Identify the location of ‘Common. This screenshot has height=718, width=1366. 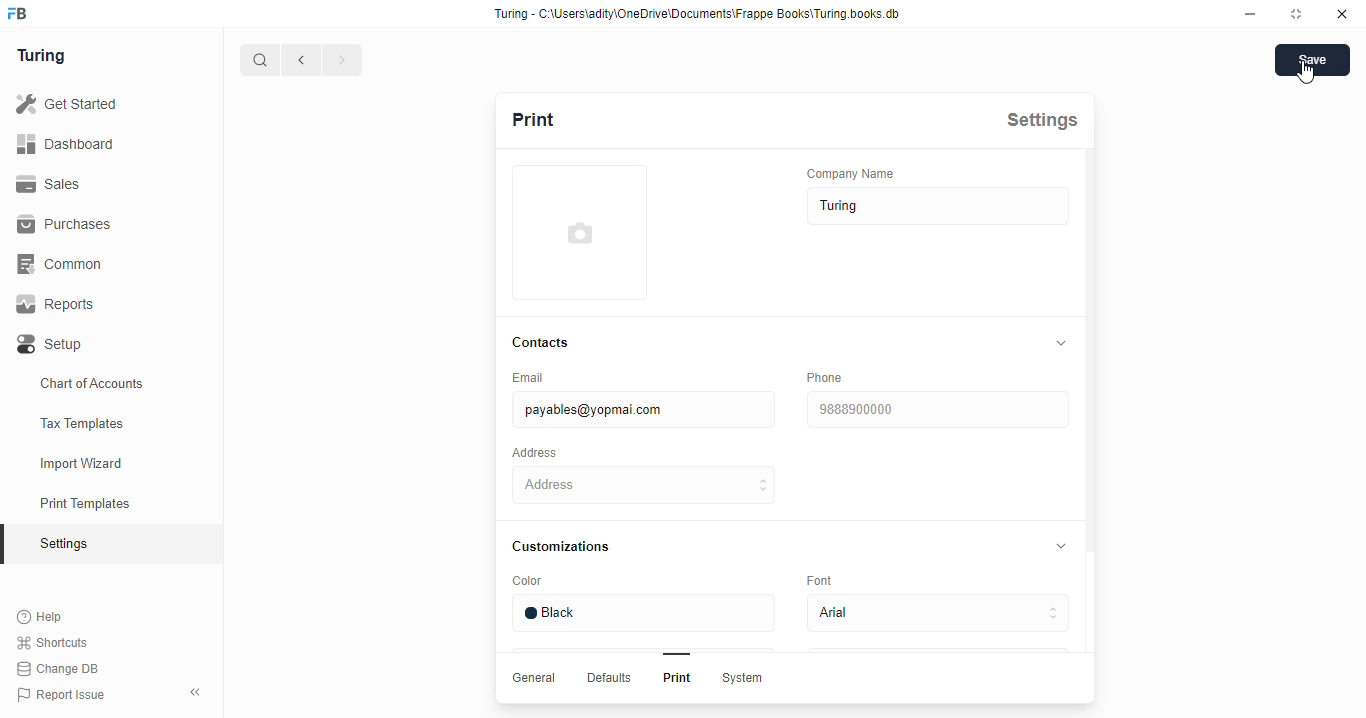
(65, 263).